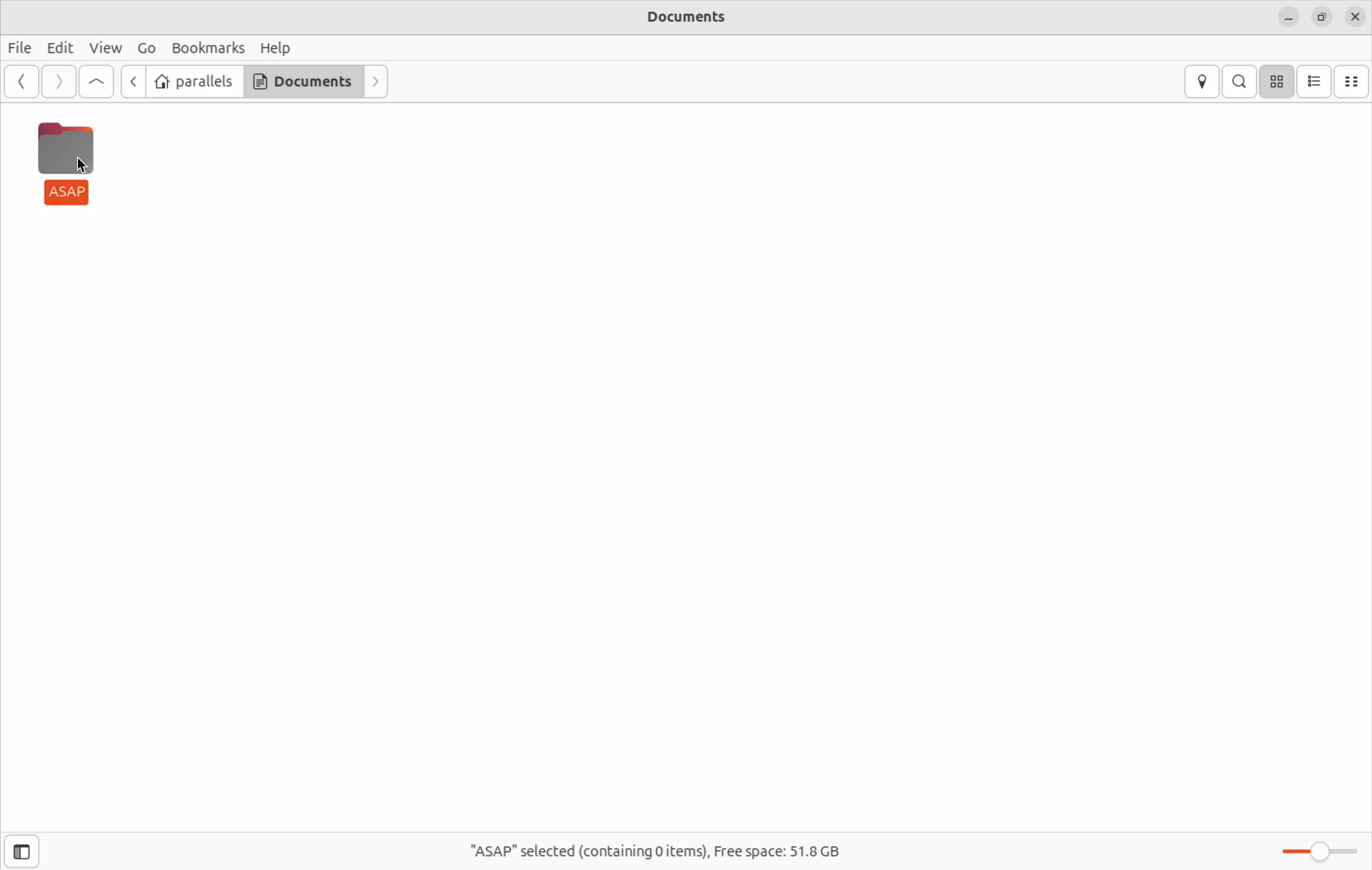  Describe the element at coordinates (1243, 80) in the screenshot. I see `search` at that location.